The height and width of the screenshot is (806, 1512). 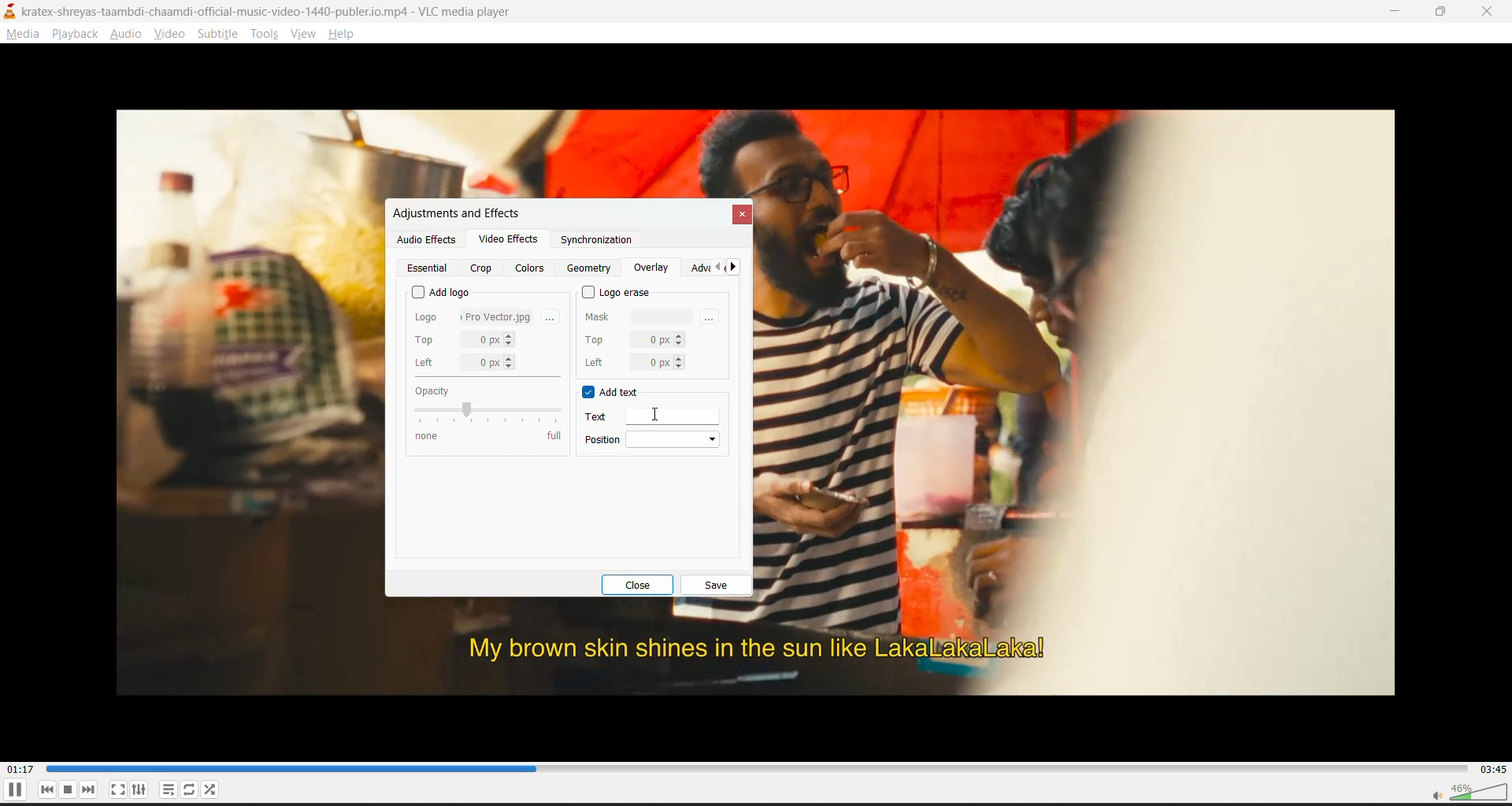 I want to click on video, so click(x=171, y=33).